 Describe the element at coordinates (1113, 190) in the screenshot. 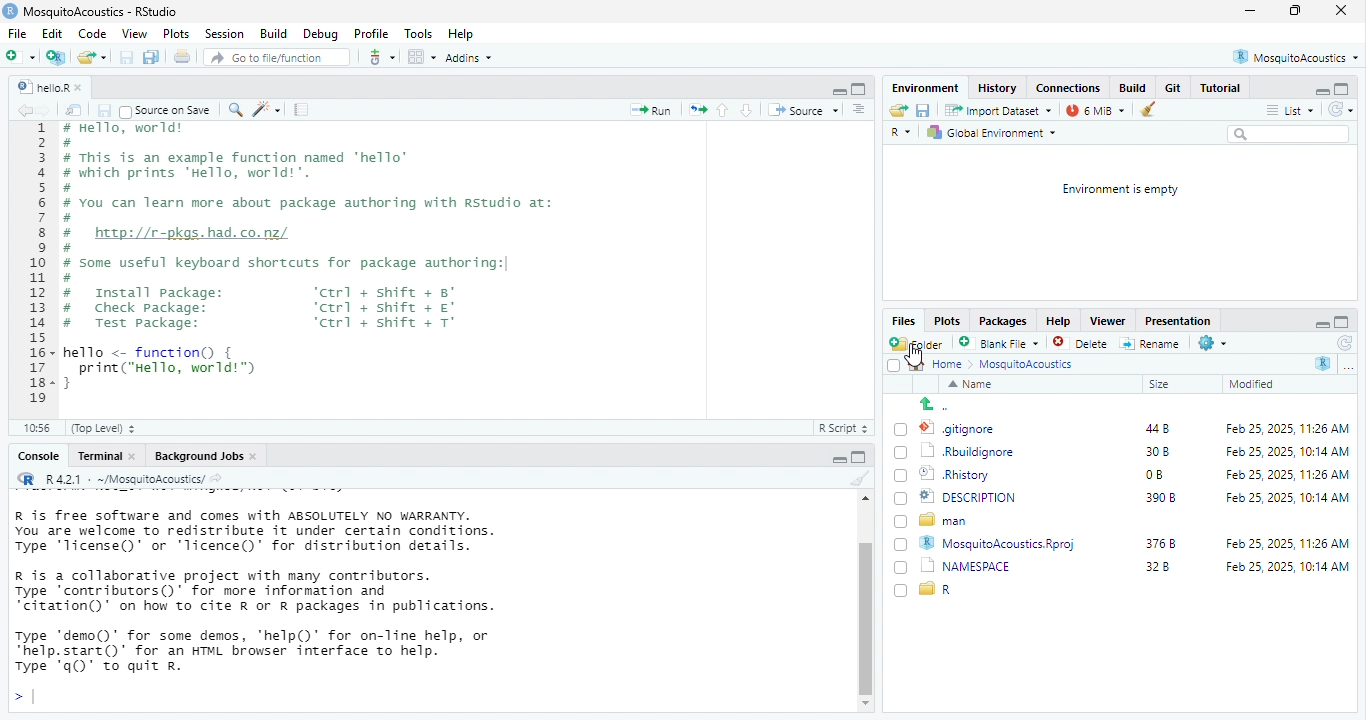

I see `Environment is empty` at that location.